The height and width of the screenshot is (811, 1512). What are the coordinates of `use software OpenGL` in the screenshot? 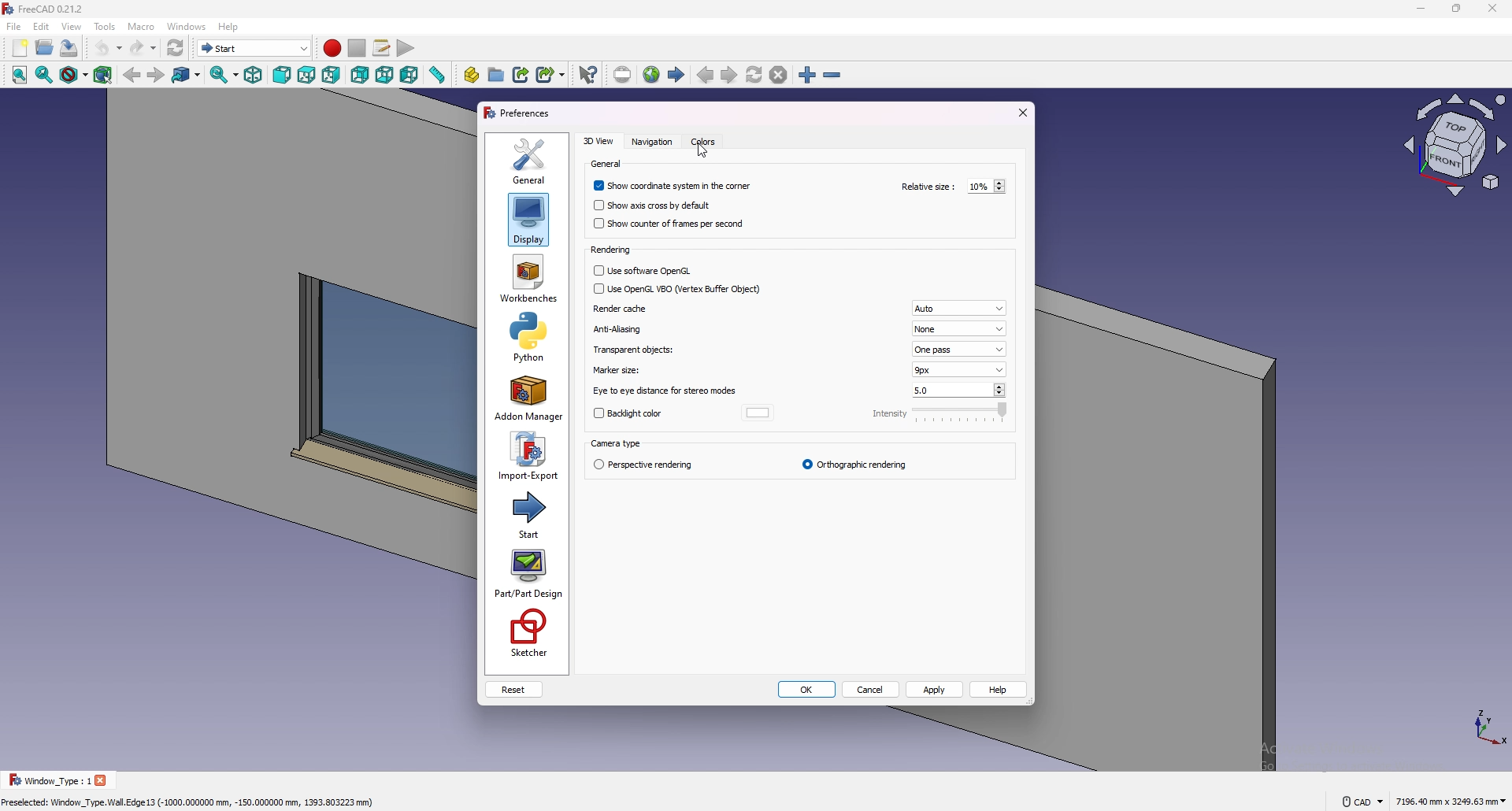 It's located at (643, 271).